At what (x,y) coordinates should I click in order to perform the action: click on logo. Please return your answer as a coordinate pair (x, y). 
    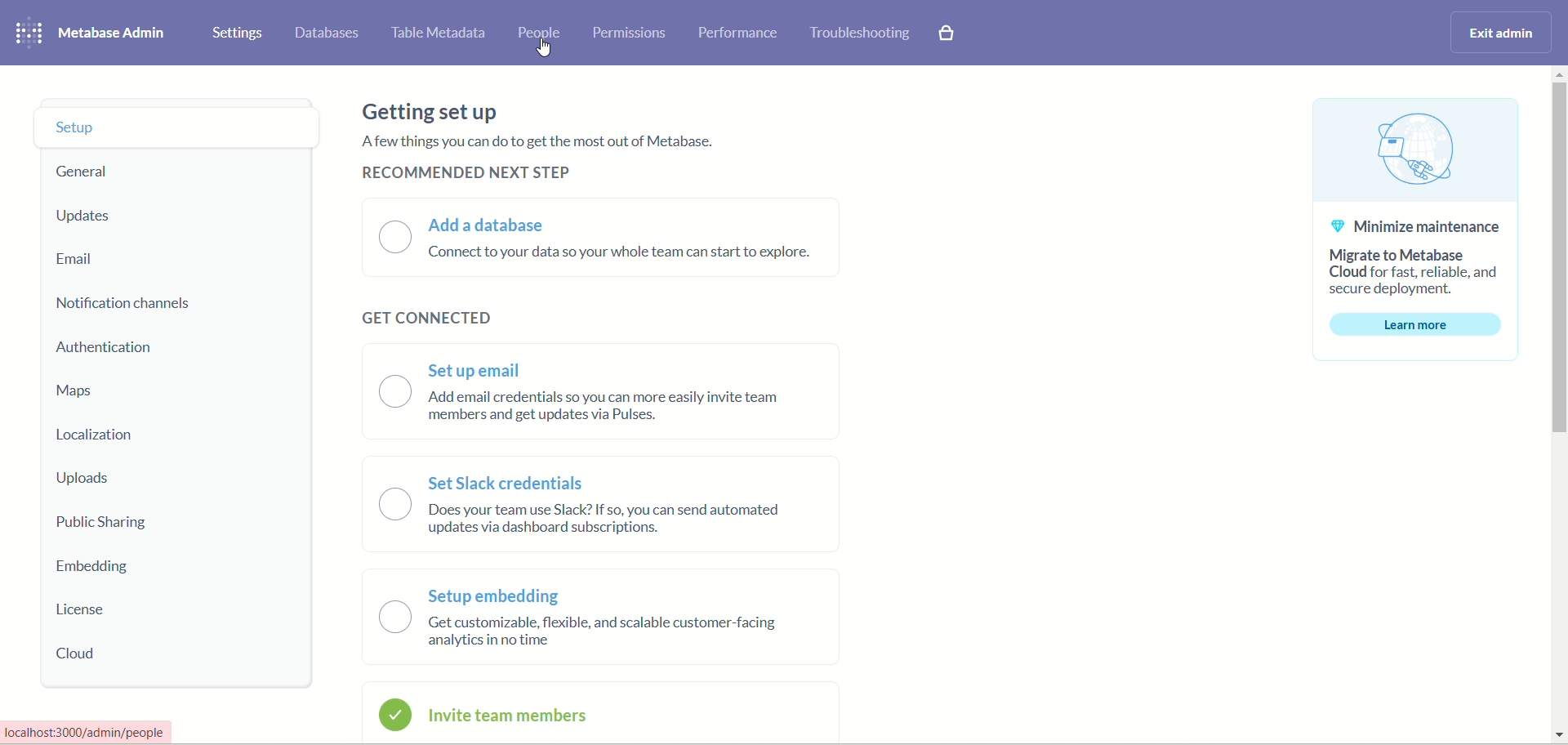
    Looking at the image, I should click on (30, 30).